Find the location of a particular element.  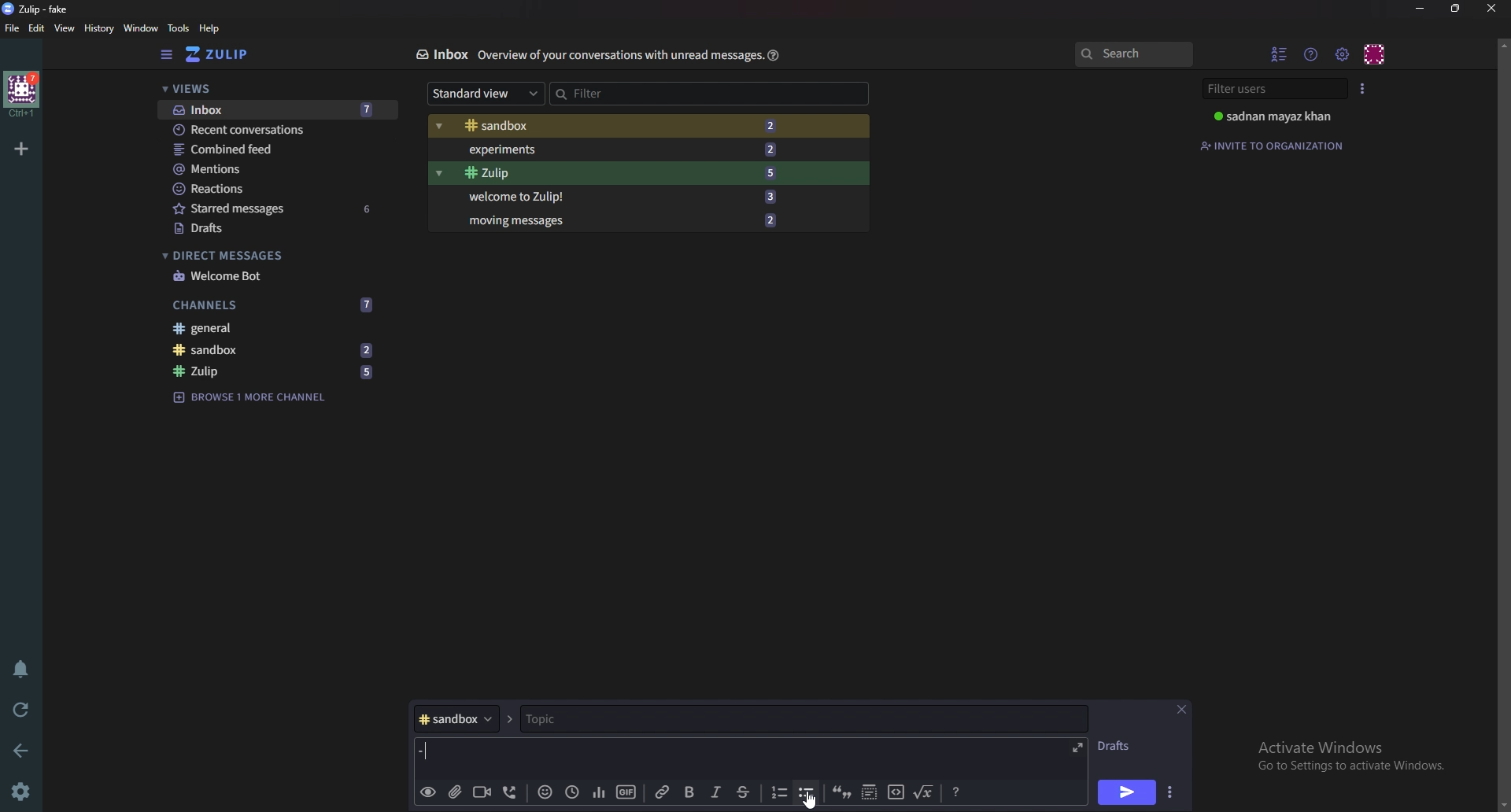

search is located at coordinates (1132, 54).